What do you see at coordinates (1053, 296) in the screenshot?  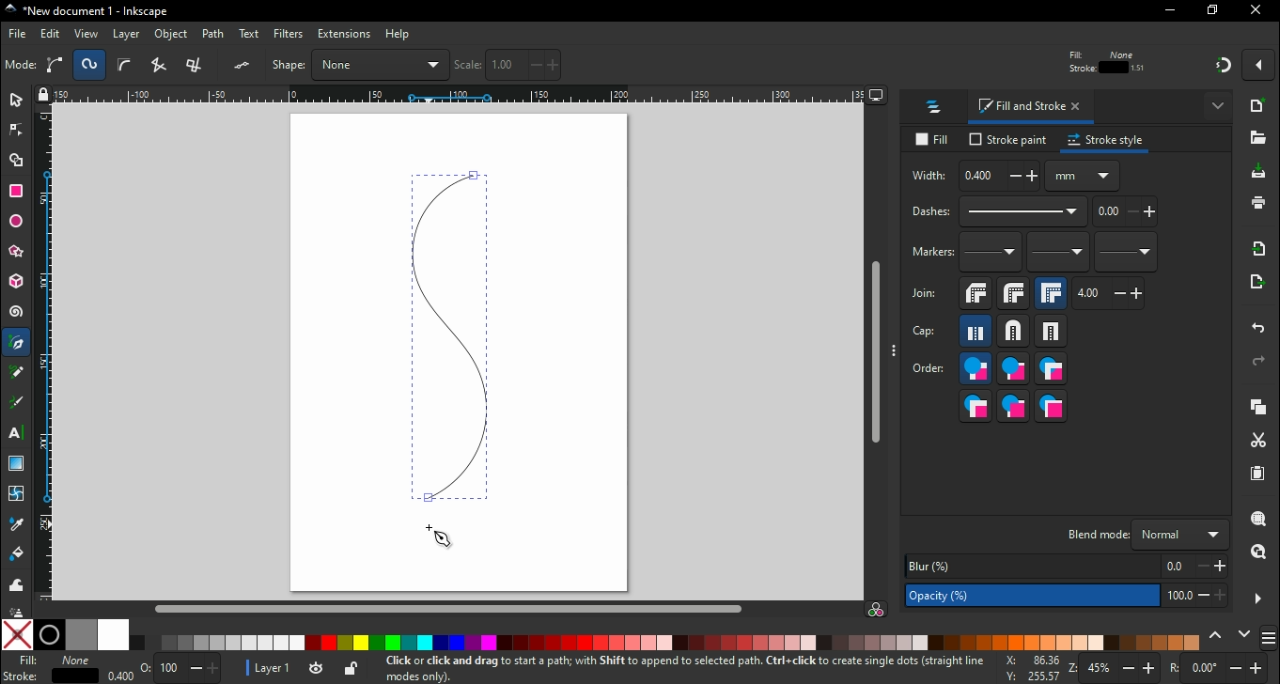 I see `miter` at bounding box center [1053, 296].